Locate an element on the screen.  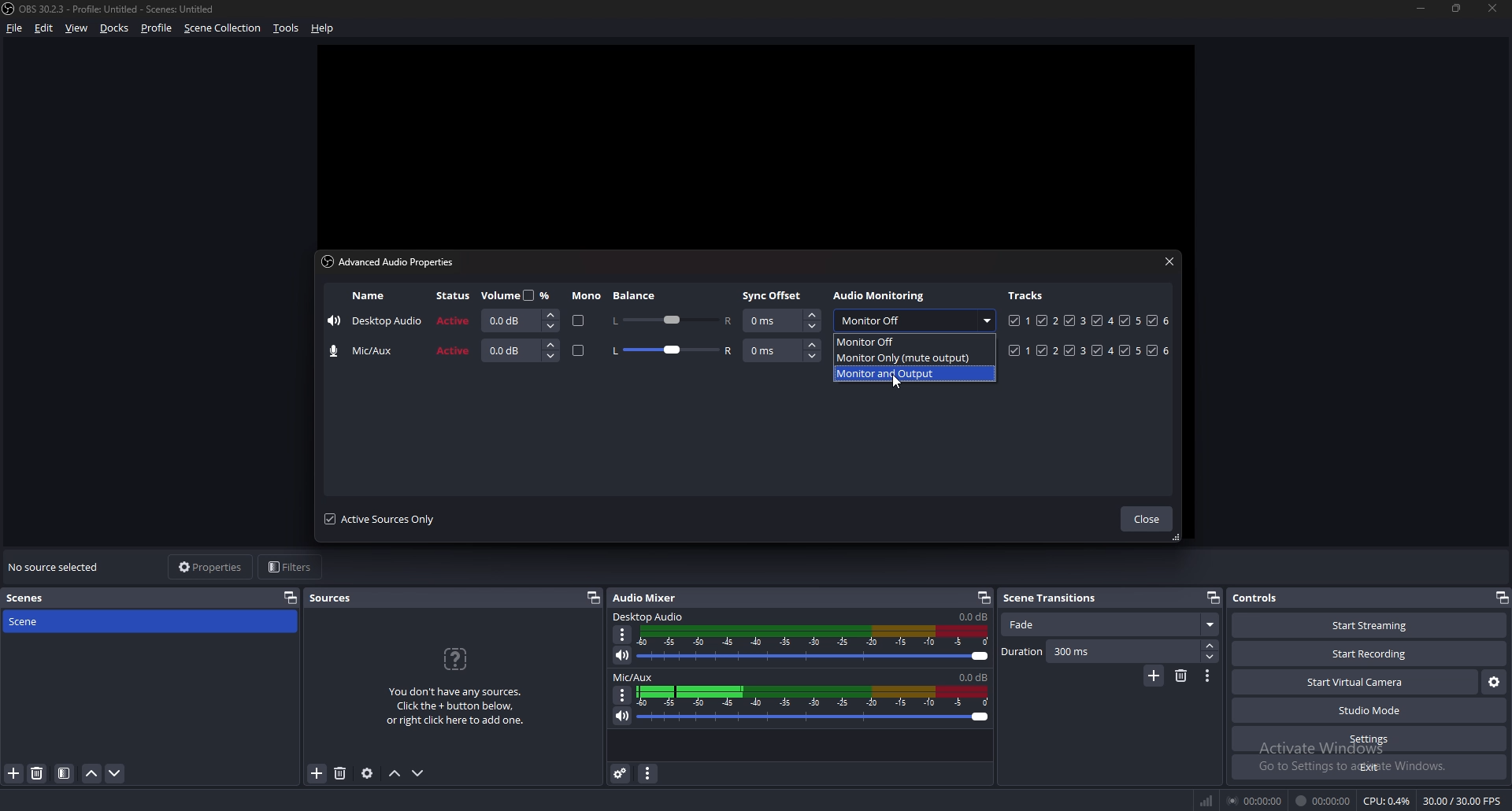
00:00:00 is located at coordinates (1257, 800).